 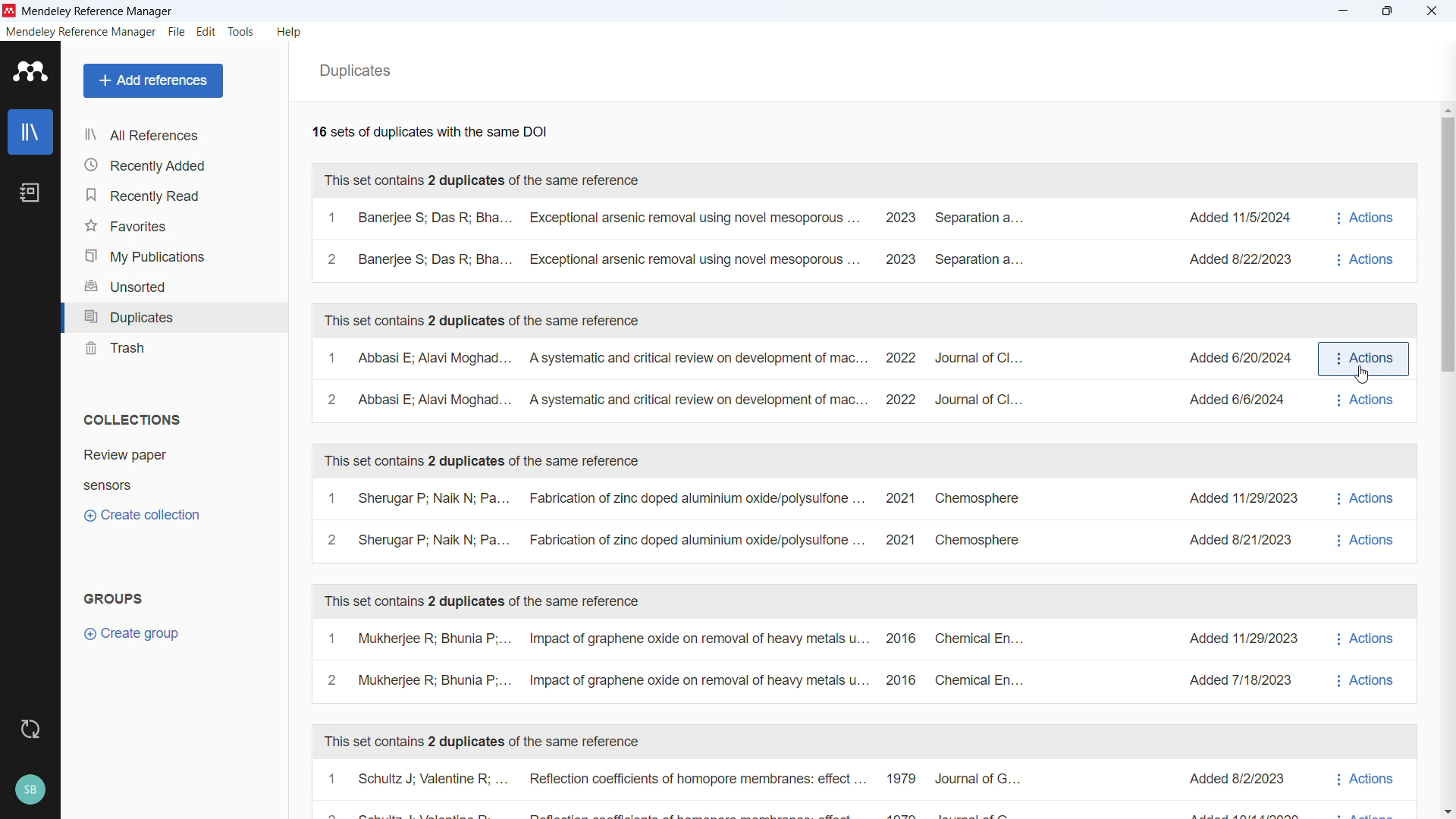 I want to click on Duplicates , so click(x=356, y=71).